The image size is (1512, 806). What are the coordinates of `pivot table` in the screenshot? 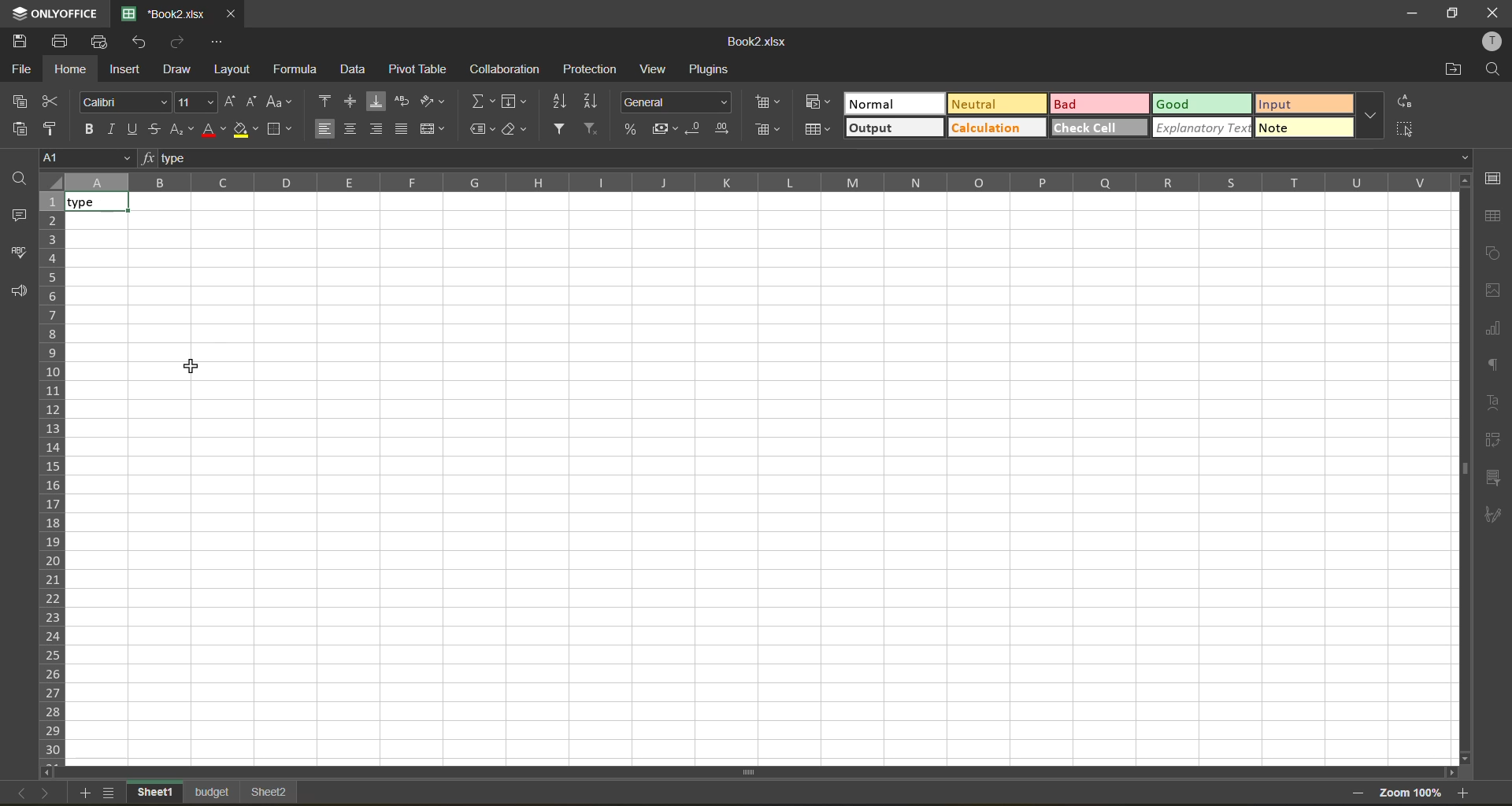 It's located at (1494, 442).